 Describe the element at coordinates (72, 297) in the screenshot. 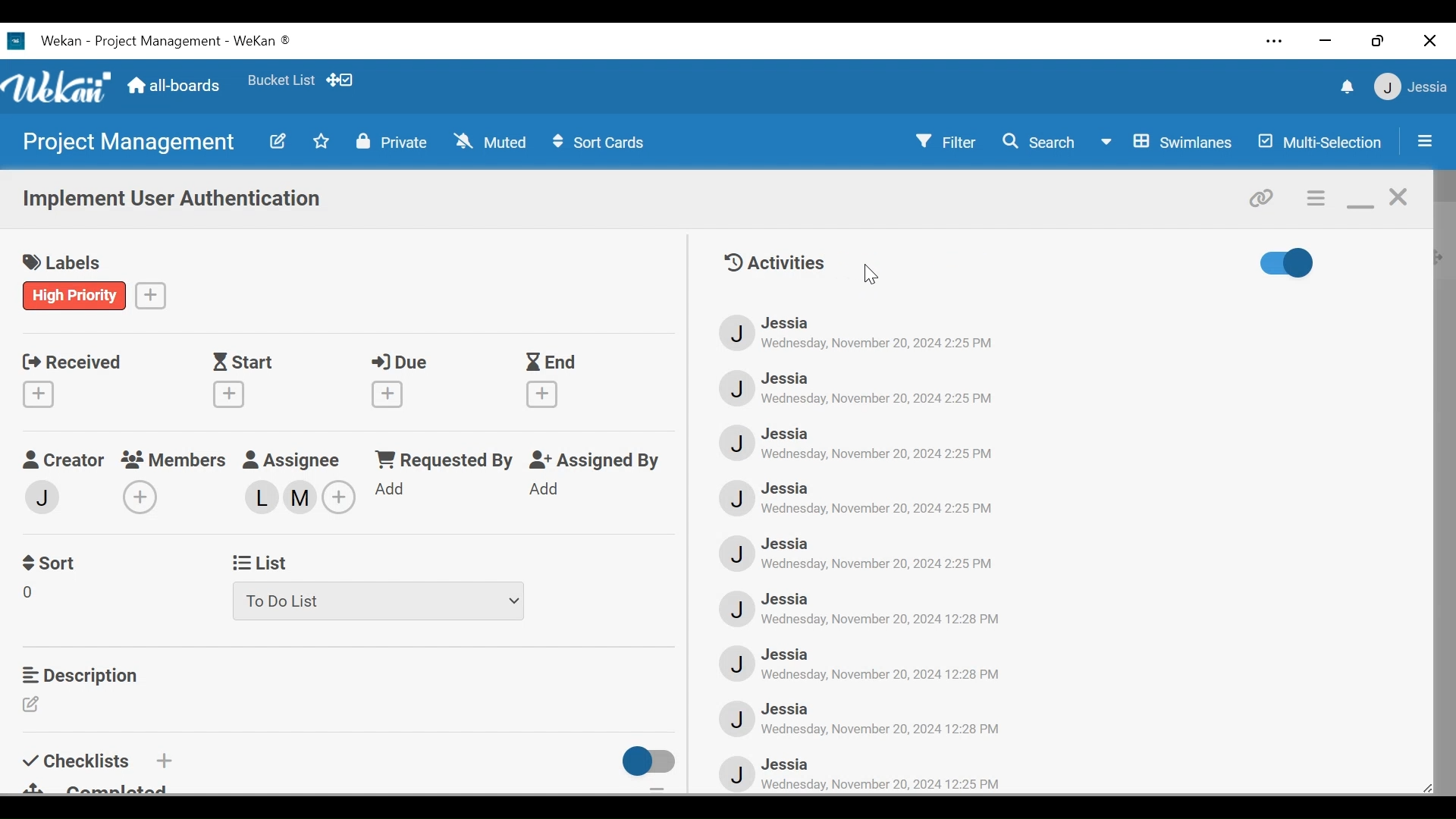

I see `label` at that location.